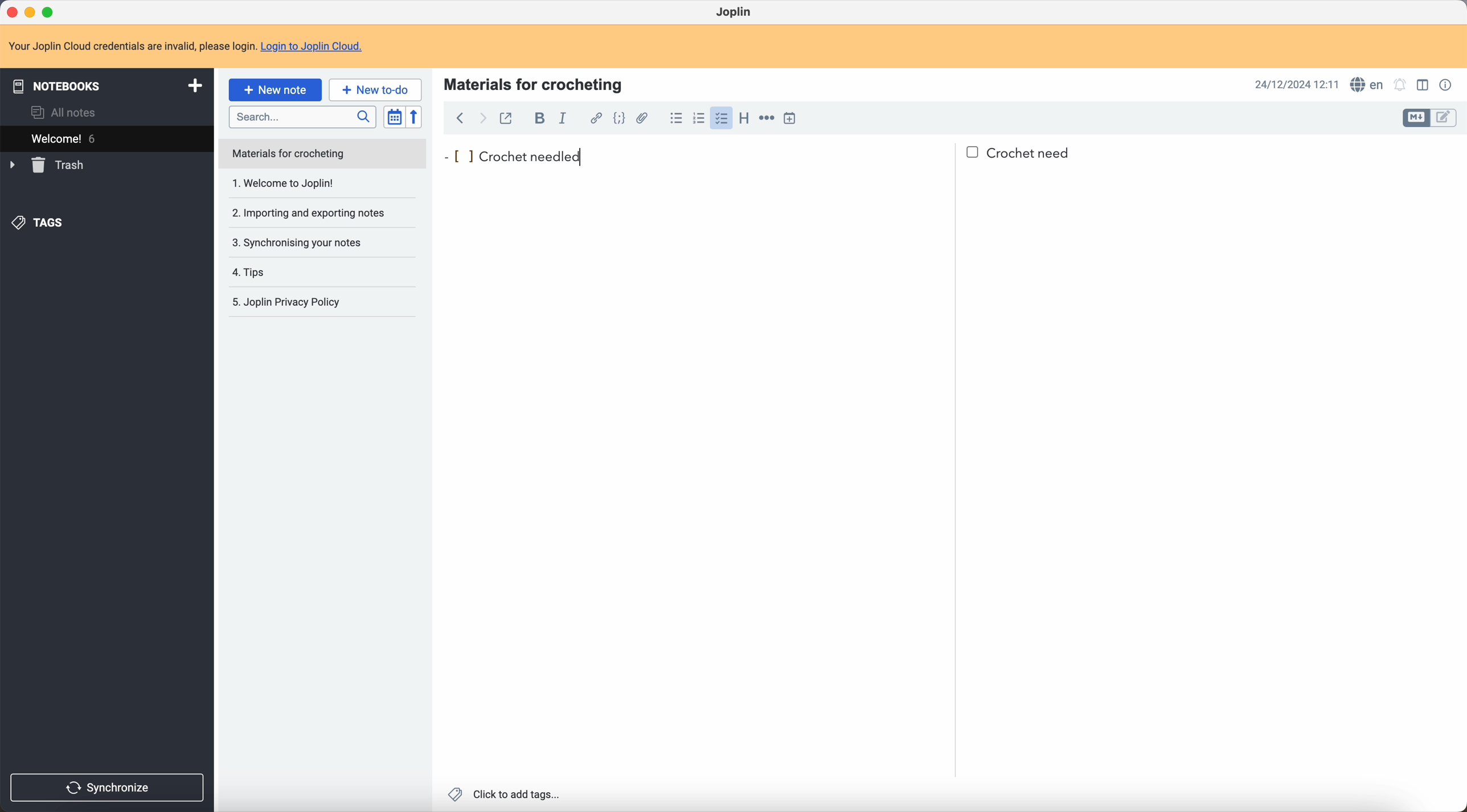  What do you see at coordinates (32, 13) in the screenshot?
I see `minimize` at bounding box center [32, 13].